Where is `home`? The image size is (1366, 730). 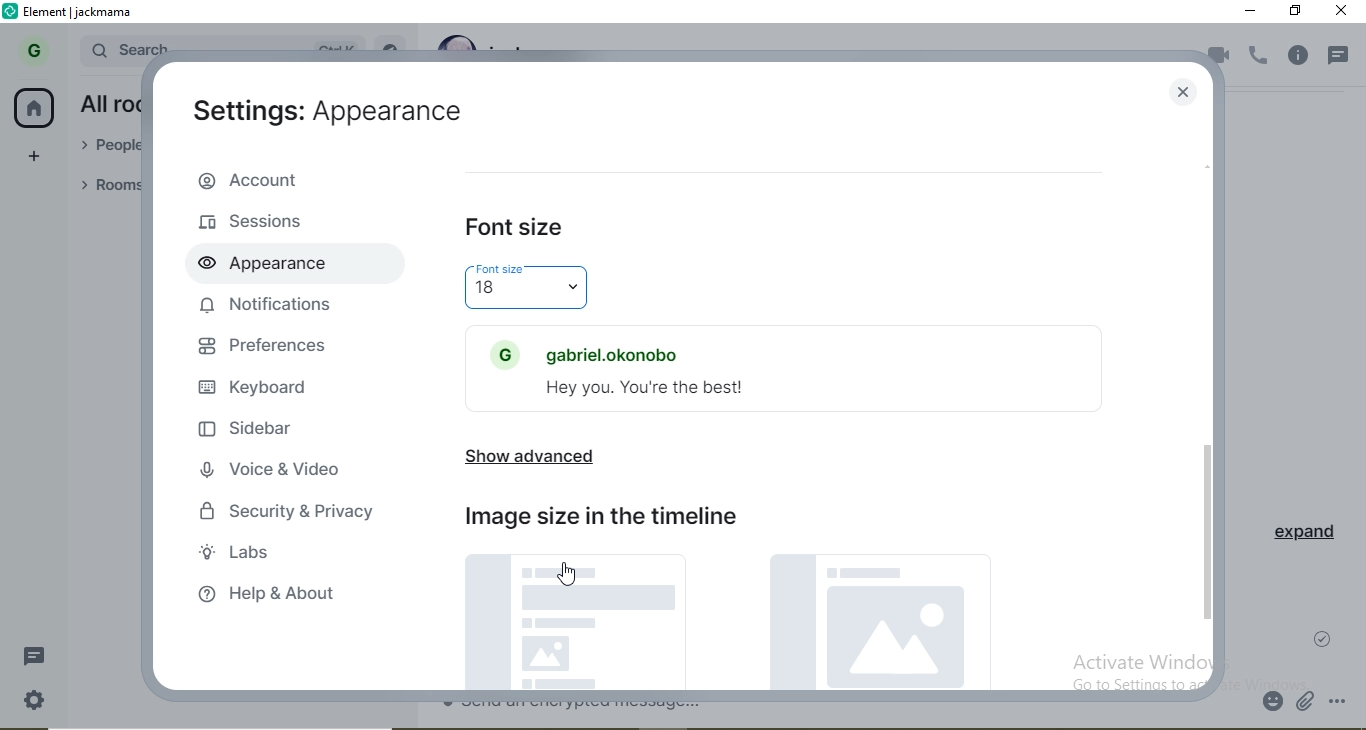
home is located at coordinates (36, 109).